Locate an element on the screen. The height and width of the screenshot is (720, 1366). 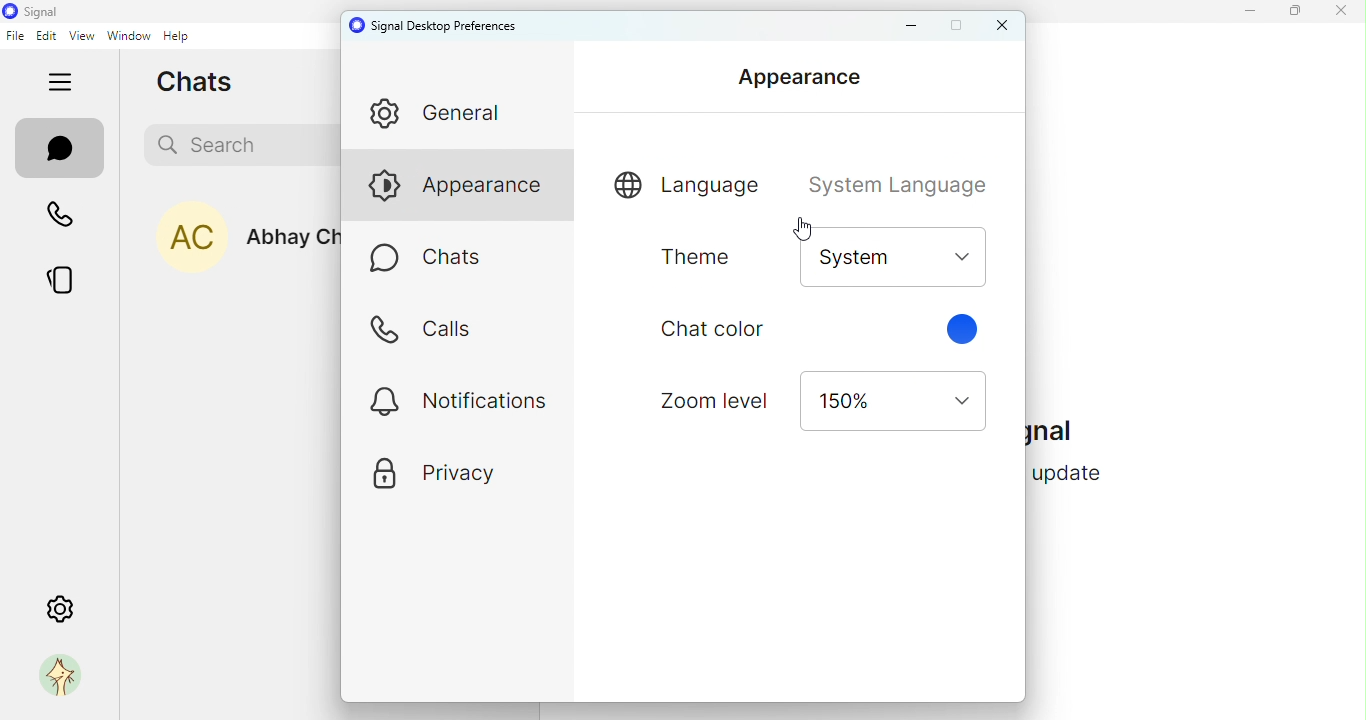
chats is located at coordinates (182, 77).